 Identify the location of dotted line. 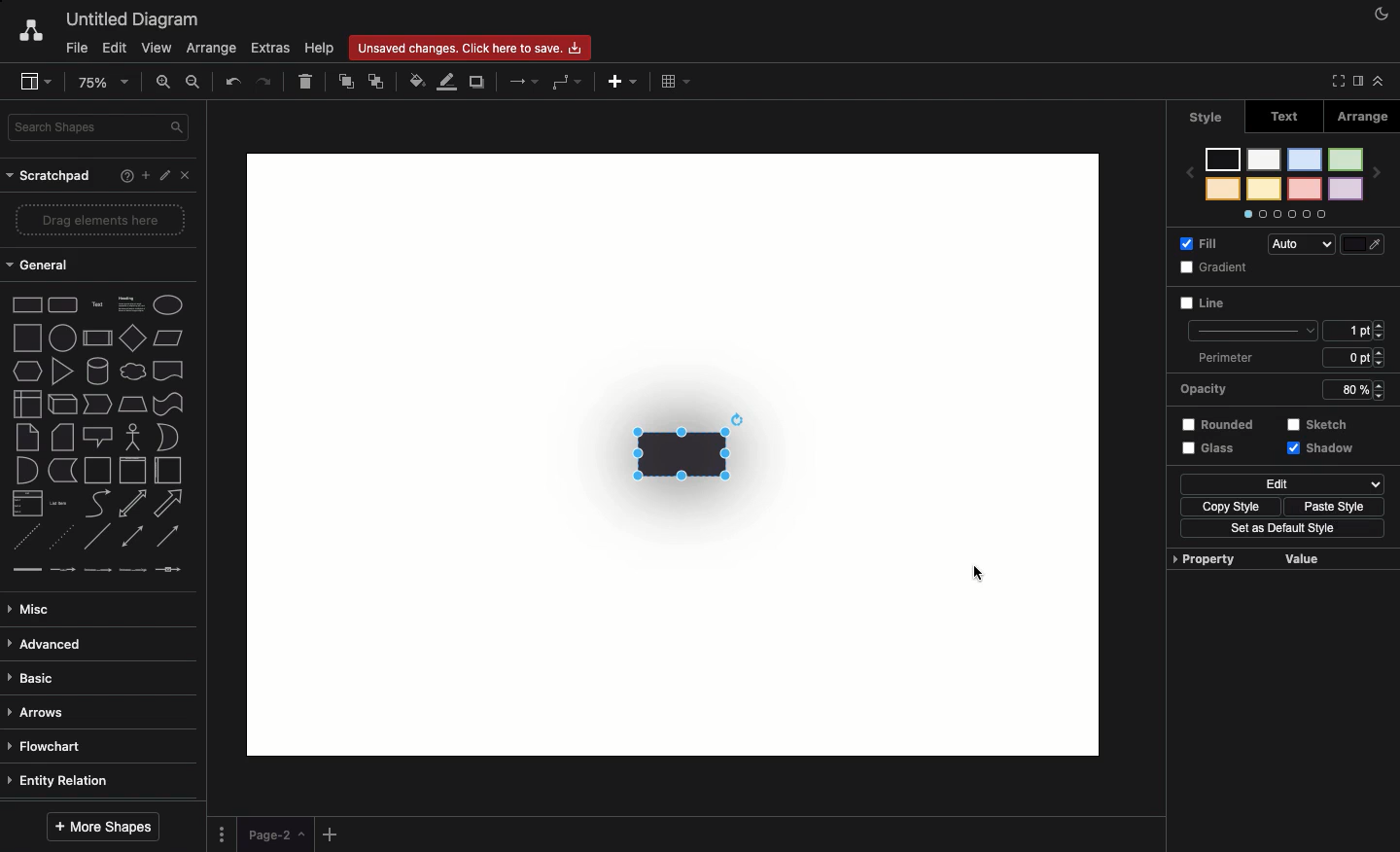
(61, 538).